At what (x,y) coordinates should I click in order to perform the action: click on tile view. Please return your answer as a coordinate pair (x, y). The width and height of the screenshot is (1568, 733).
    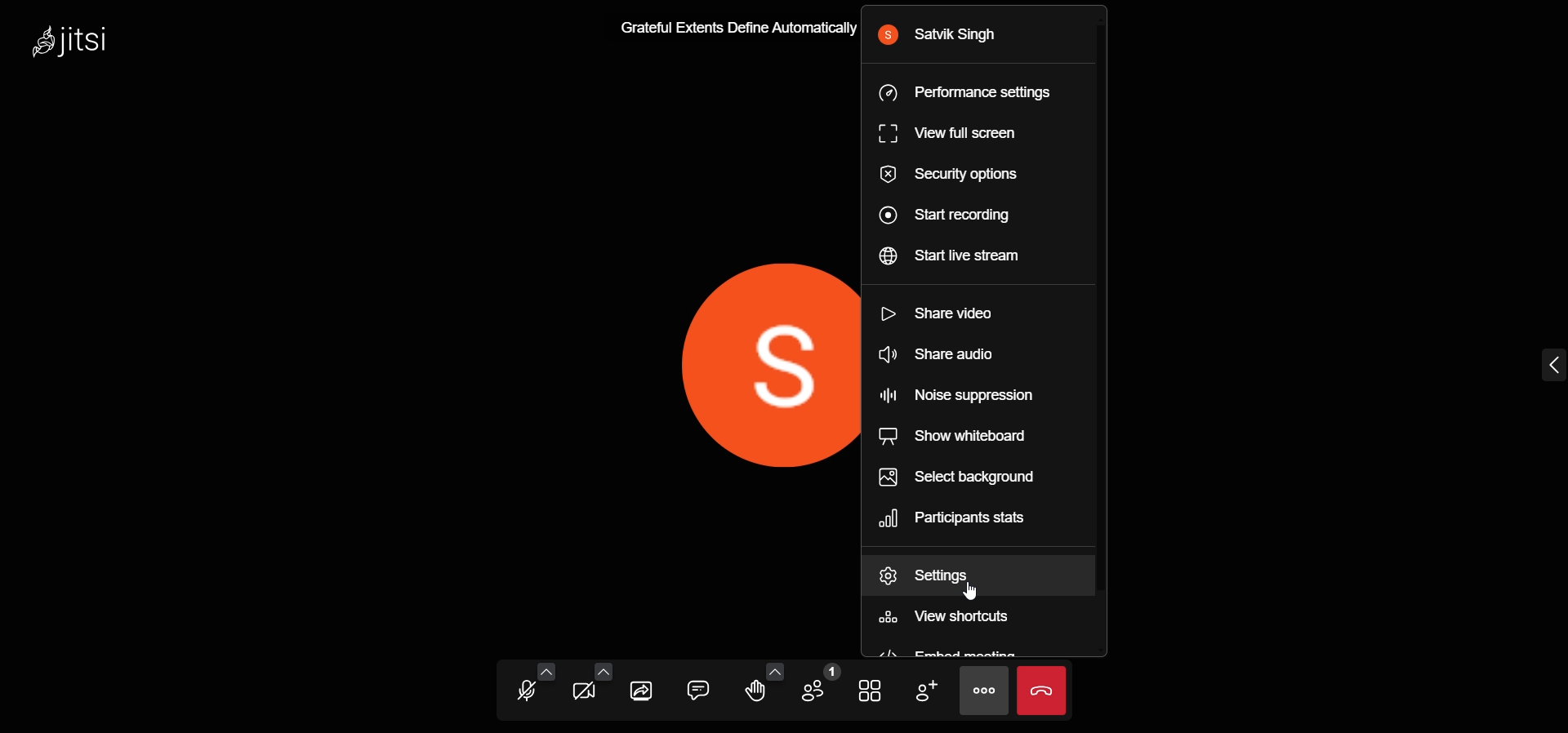
    Looking at the image, I should click on (871, 691).